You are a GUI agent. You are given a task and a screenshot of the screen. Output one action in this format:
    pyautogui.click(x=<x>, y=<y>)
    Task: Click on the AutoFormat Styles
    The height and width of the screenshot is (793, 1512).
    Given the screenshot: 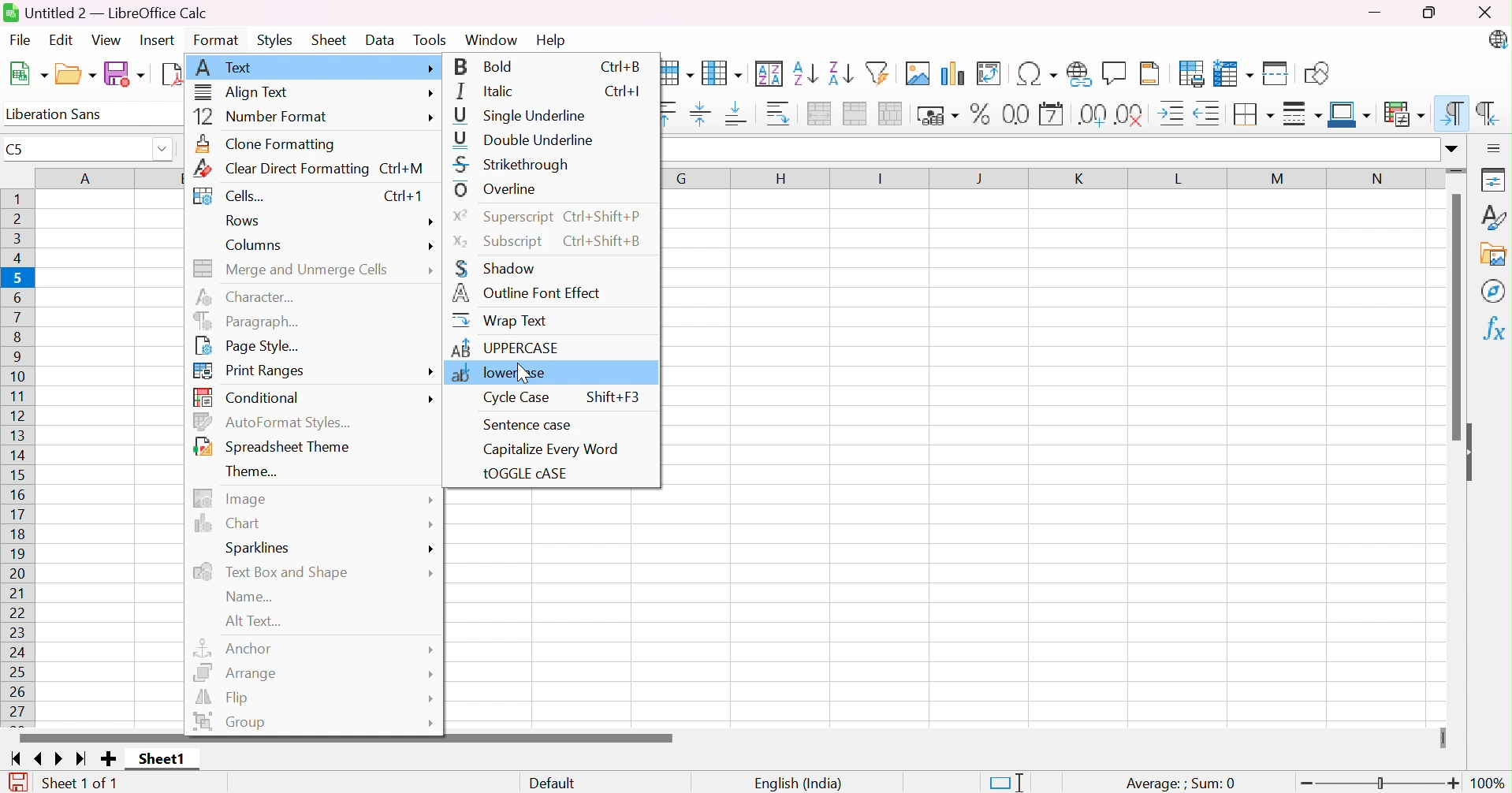 What is the action you would take?
    pyautogui.click(x=274, y=420)
    